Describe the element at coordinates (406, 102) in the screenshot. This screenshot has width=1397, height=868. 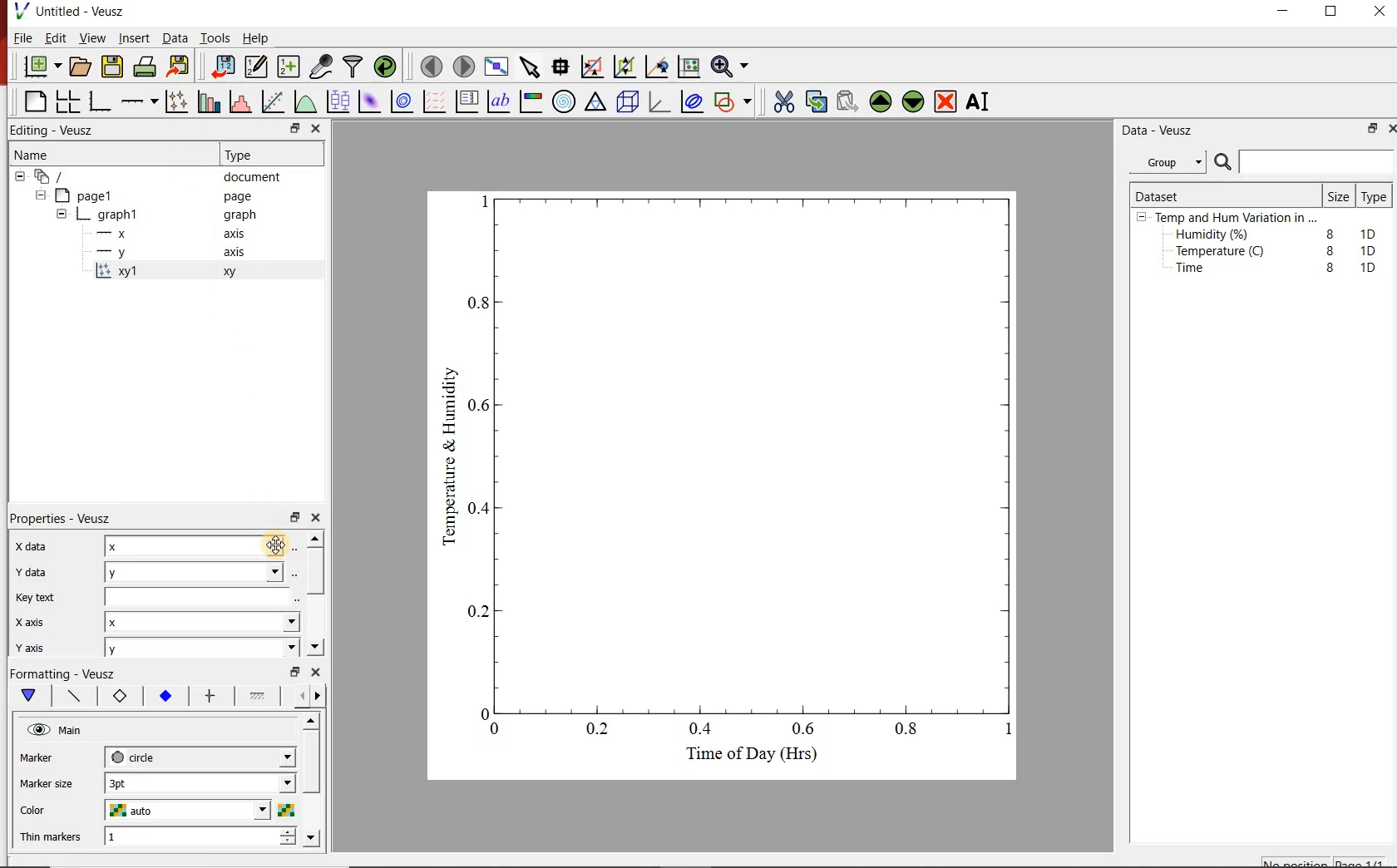
I see `plot a 2d dataset as contours` at that location.